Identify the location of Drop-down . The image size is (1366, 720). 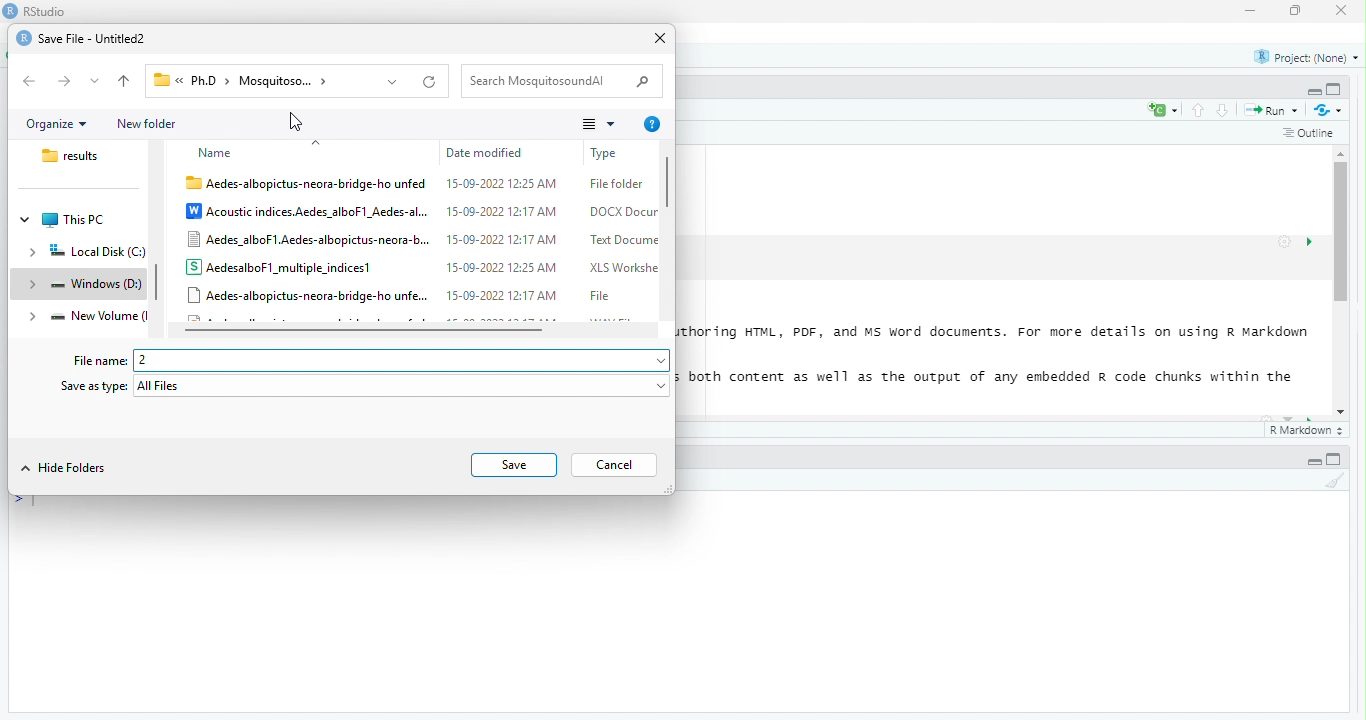
(663, 362).